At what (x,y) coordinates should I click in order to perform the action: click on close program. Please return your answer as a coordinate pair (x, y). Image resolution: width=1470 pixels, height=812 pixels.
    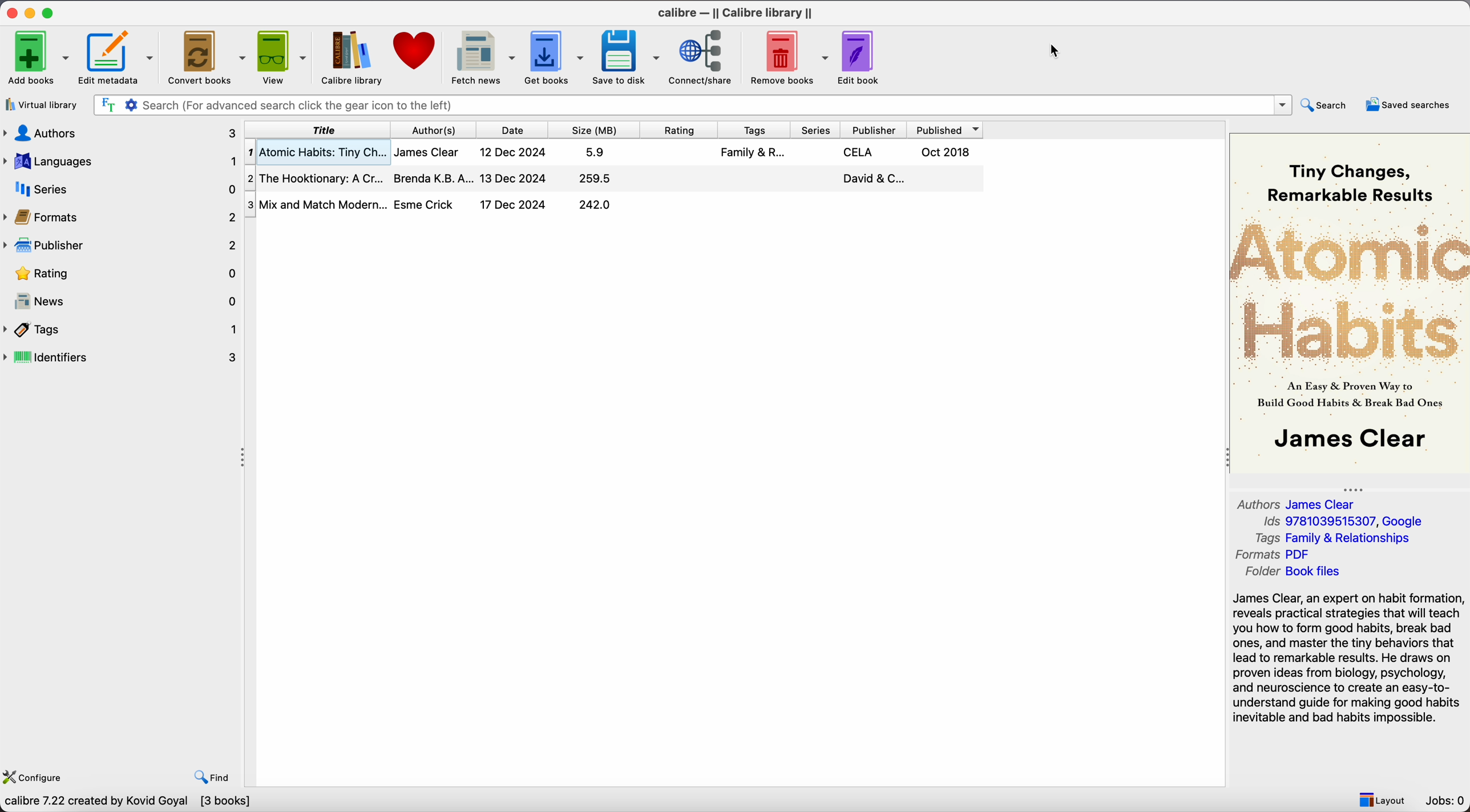
    Looking at the image, I should click on (12, 11).